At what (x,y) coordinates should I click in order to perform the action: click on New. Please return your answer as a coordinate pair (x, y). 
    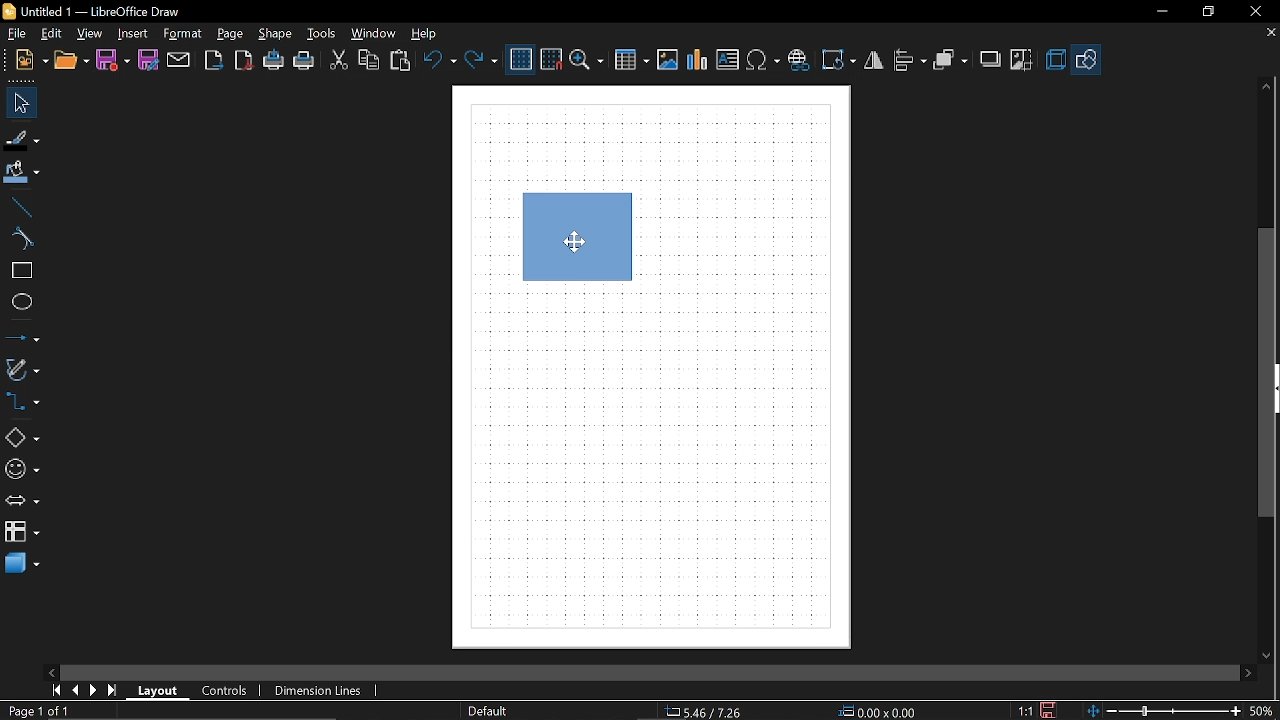
    Looking at the image, I should click on (32, 62).